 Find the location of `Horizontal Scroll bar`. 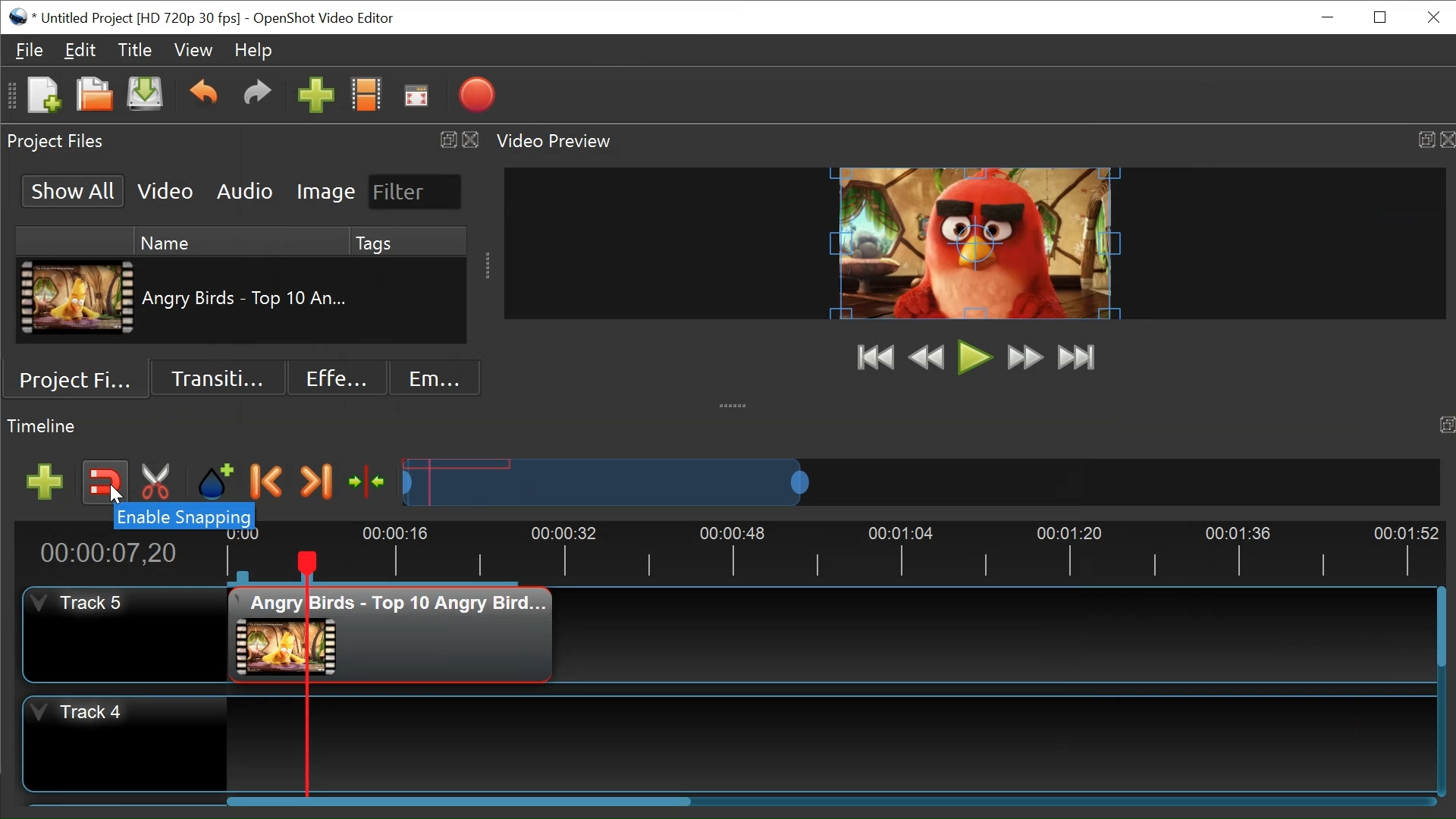

Horizontal Scroll bar is located at coordinates (459, 802).